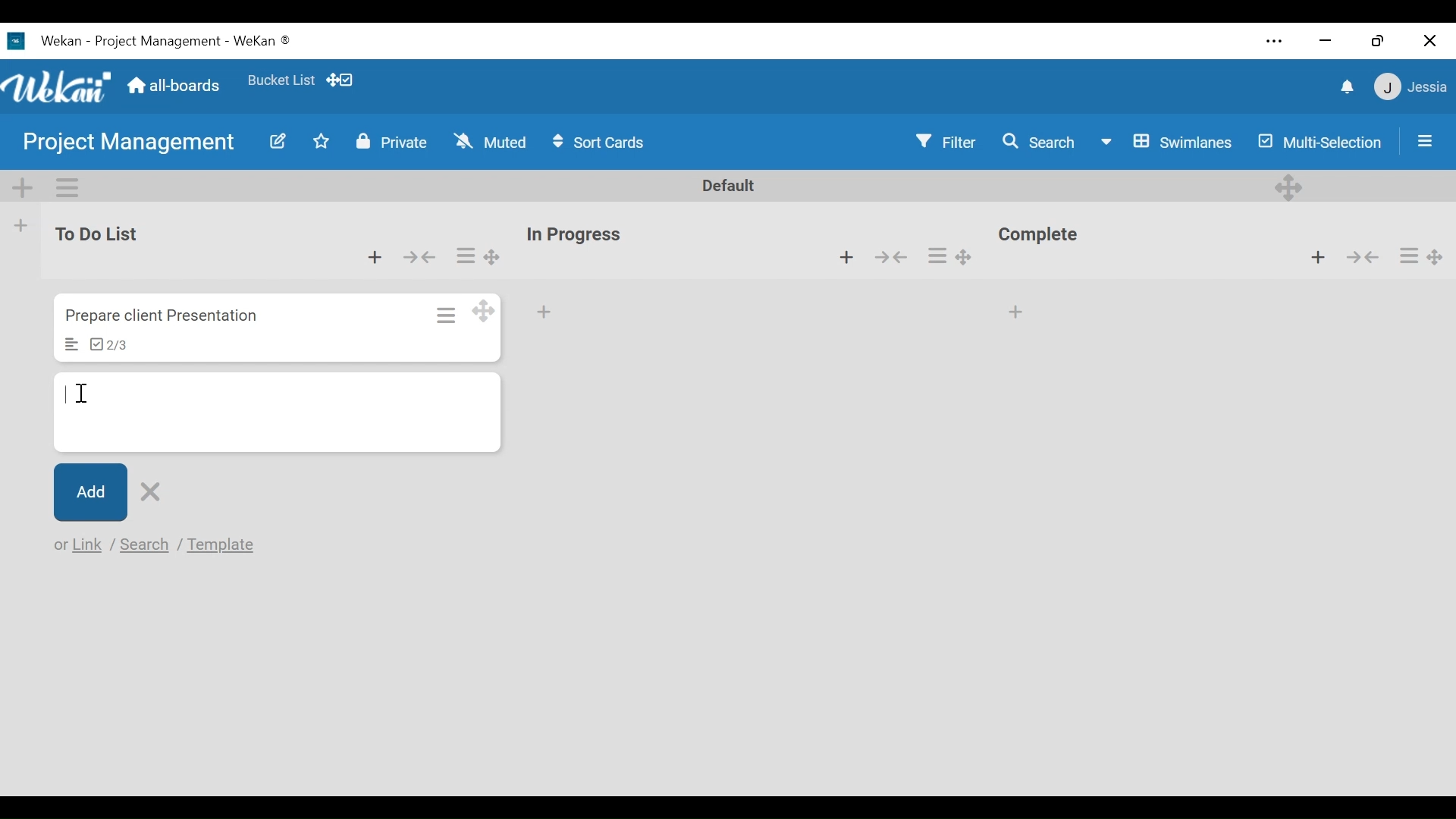 The width and height of the screenshot is (1456, 819). What do you see at coordinates (972, 254) in the screenshot?
I see `Desktop drag handle` at bounding box center [972, 254].